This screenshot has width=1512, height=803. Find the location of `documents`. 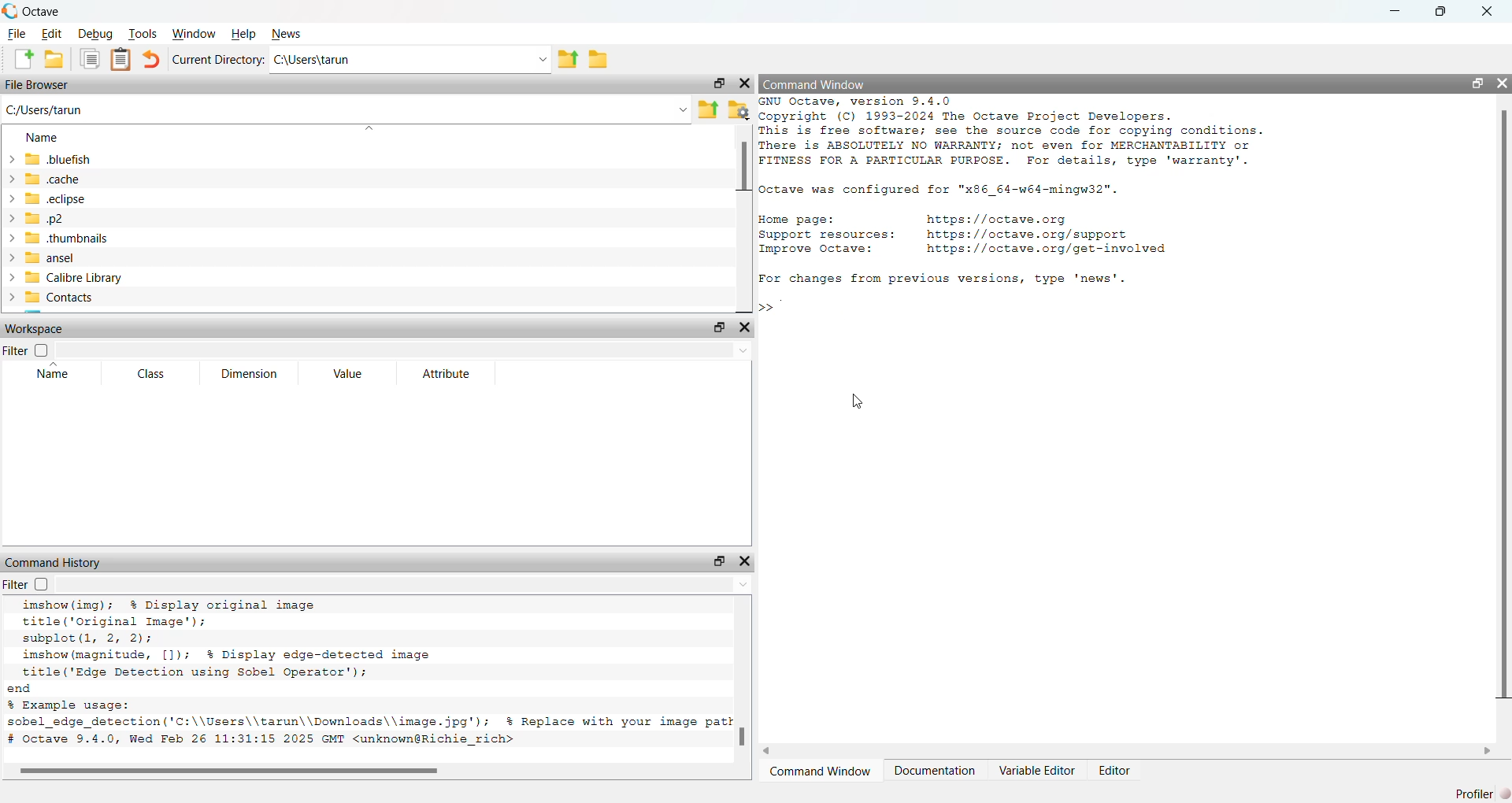

documents is located at coordinates (91, 60).